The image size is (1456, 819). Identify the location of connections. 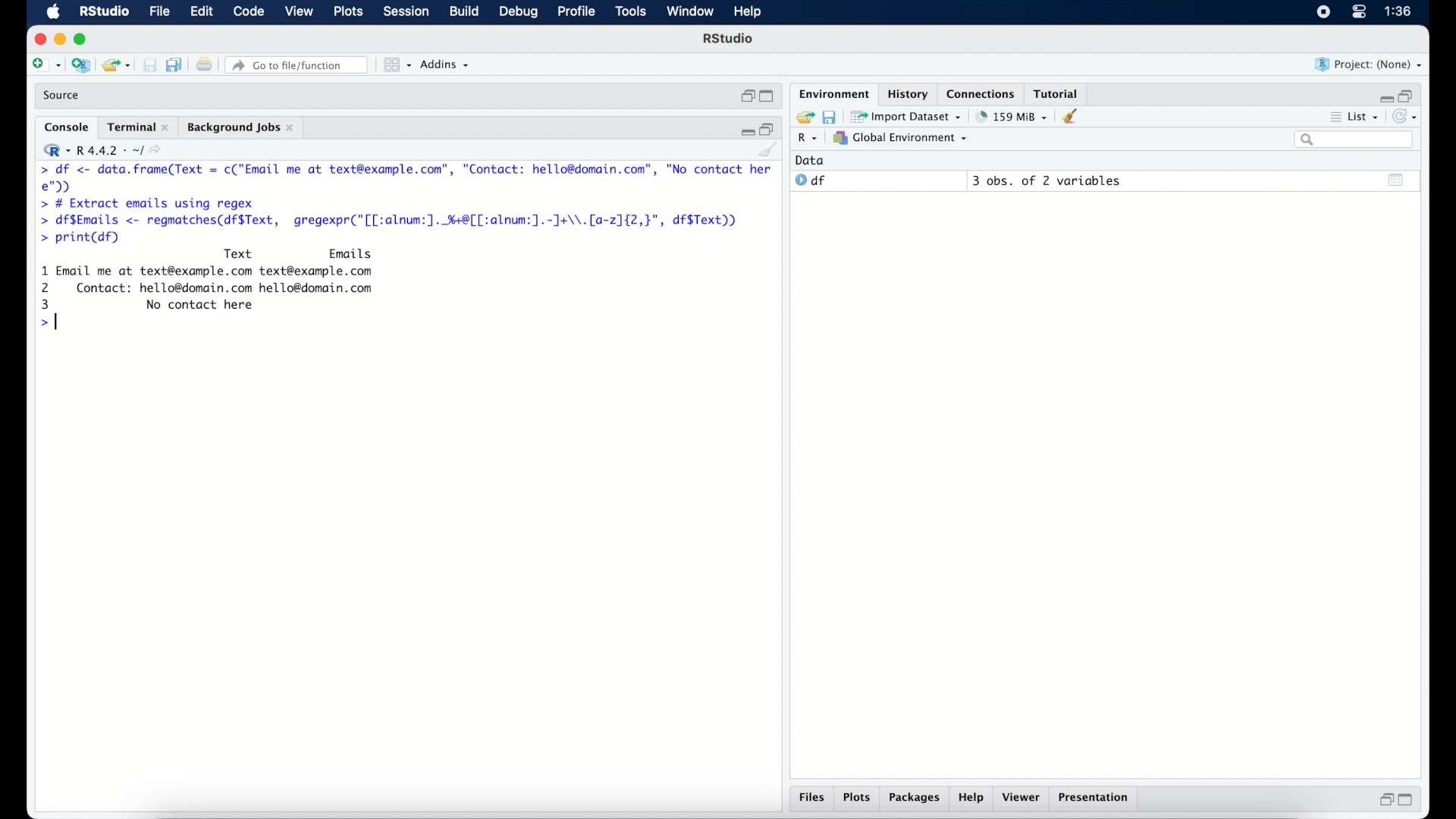
(983, 93).